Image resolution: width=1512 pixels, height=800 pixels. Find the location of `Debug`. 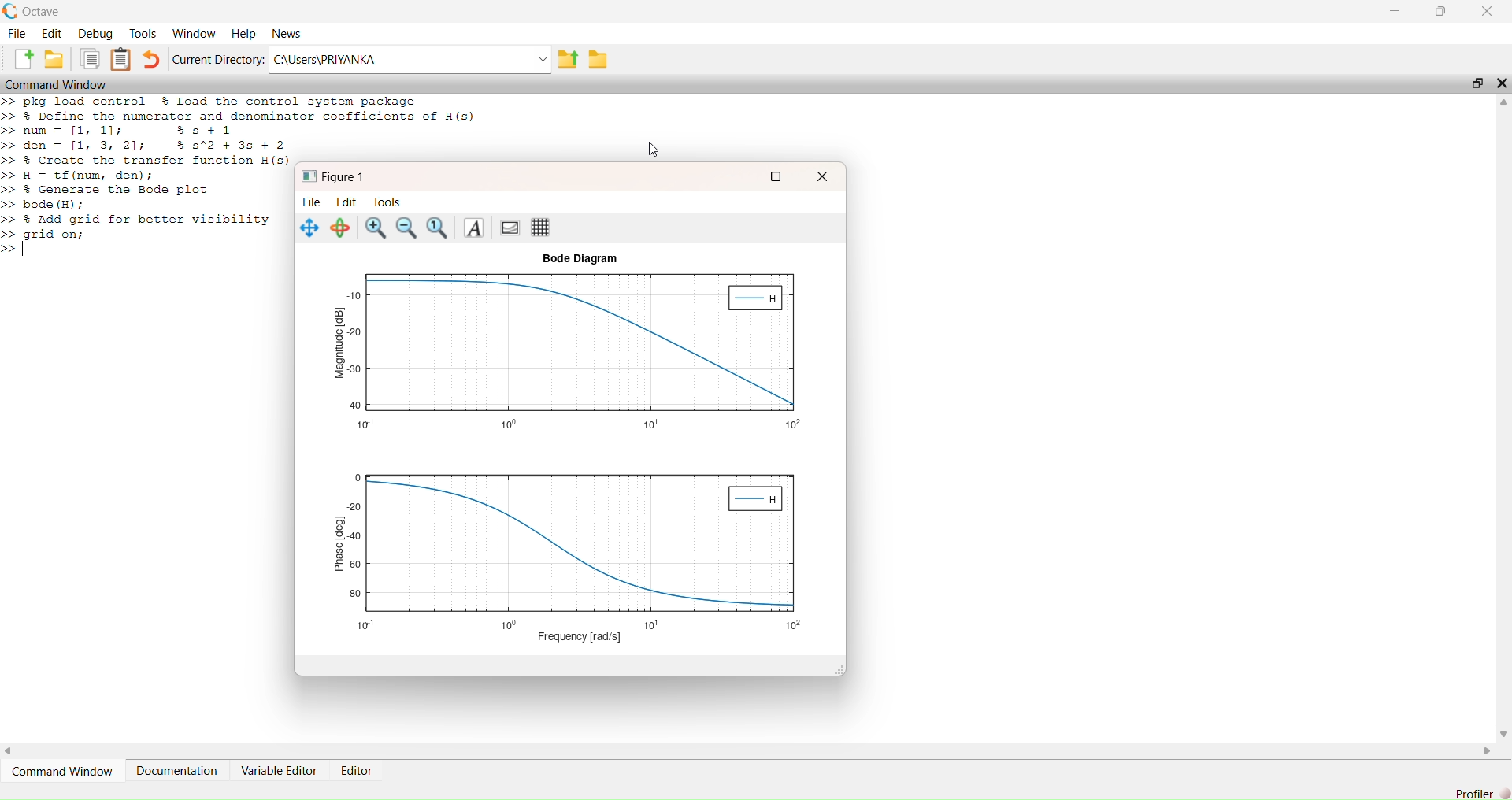

Debug is located at coordinates (95, 33).